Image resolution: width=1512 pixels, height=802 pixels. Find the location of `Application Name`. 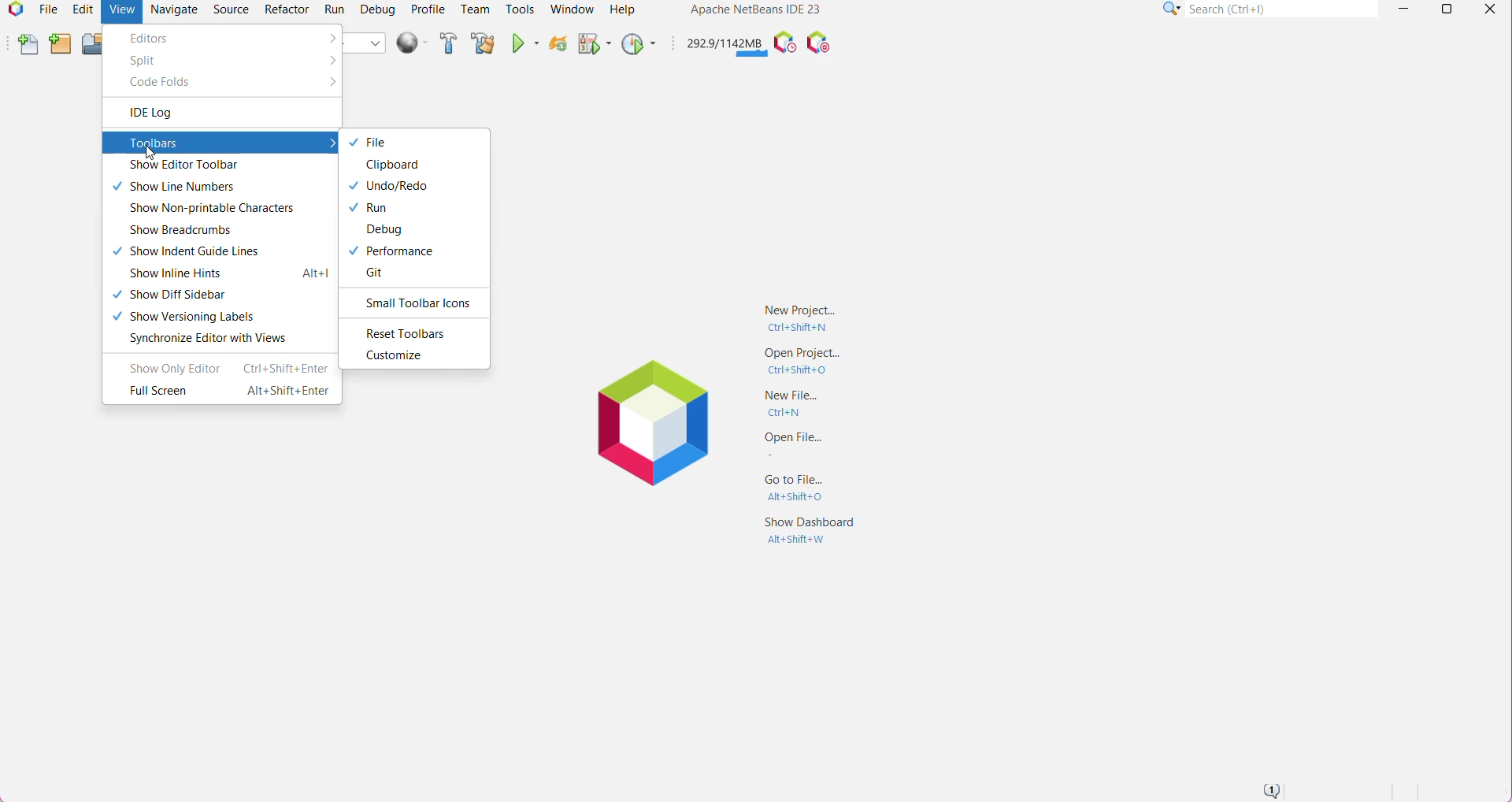

Application Name is located at coordinates (754, 9).